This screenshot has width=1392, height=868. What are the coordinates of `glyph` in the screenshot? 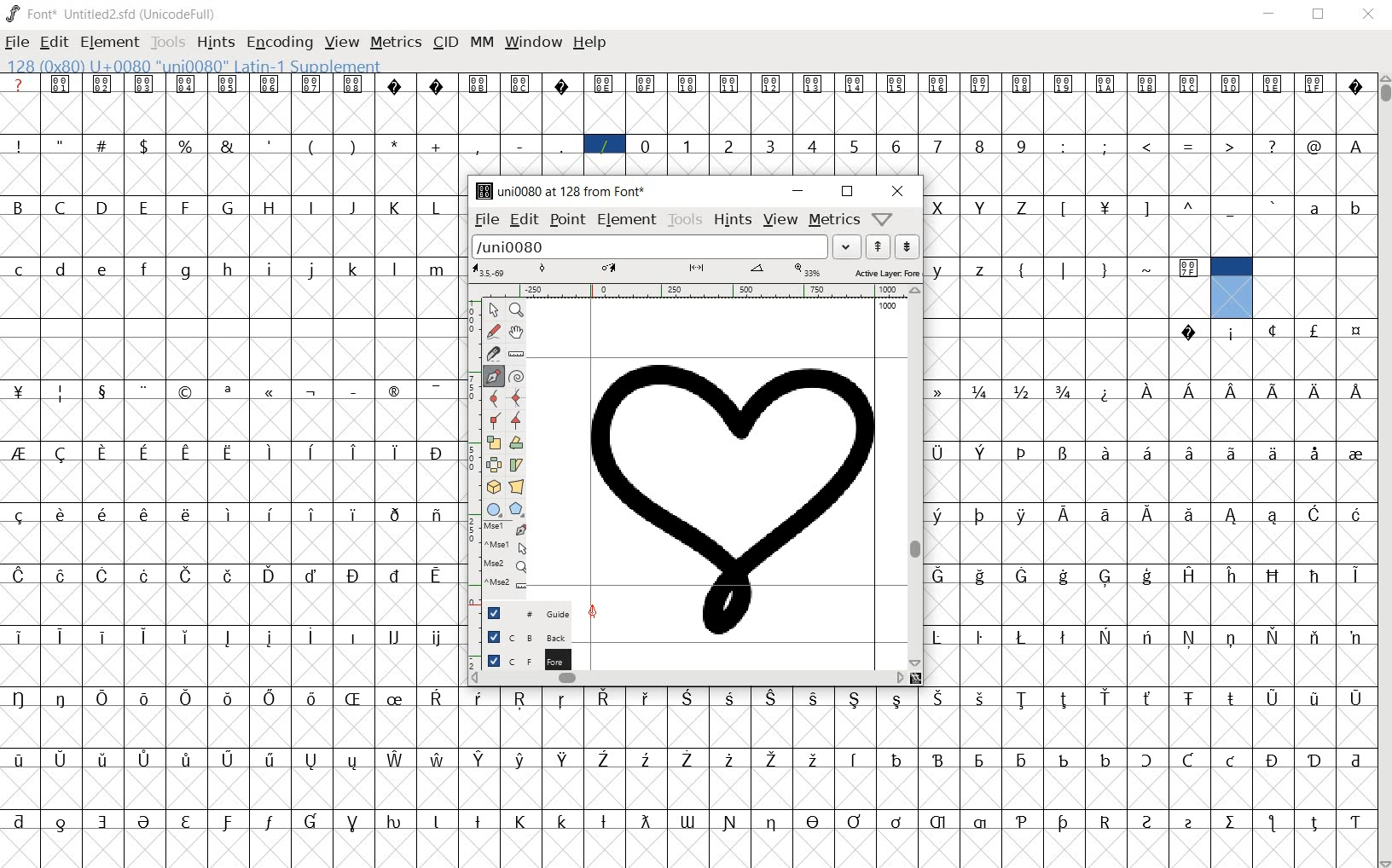 It's located at (311, 452).